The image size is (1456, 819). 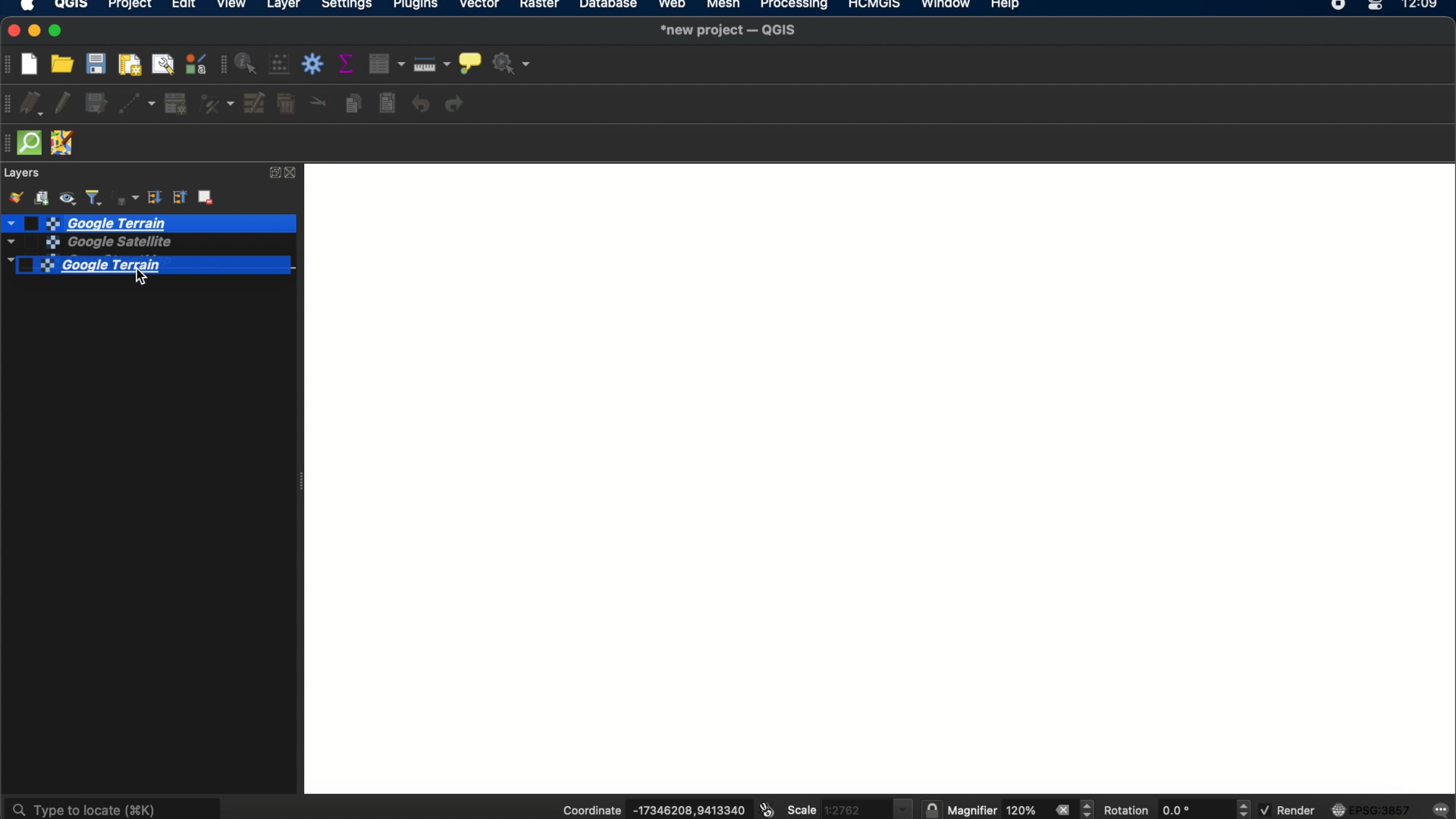 I want to click on edit, so click(x=183, y=7).